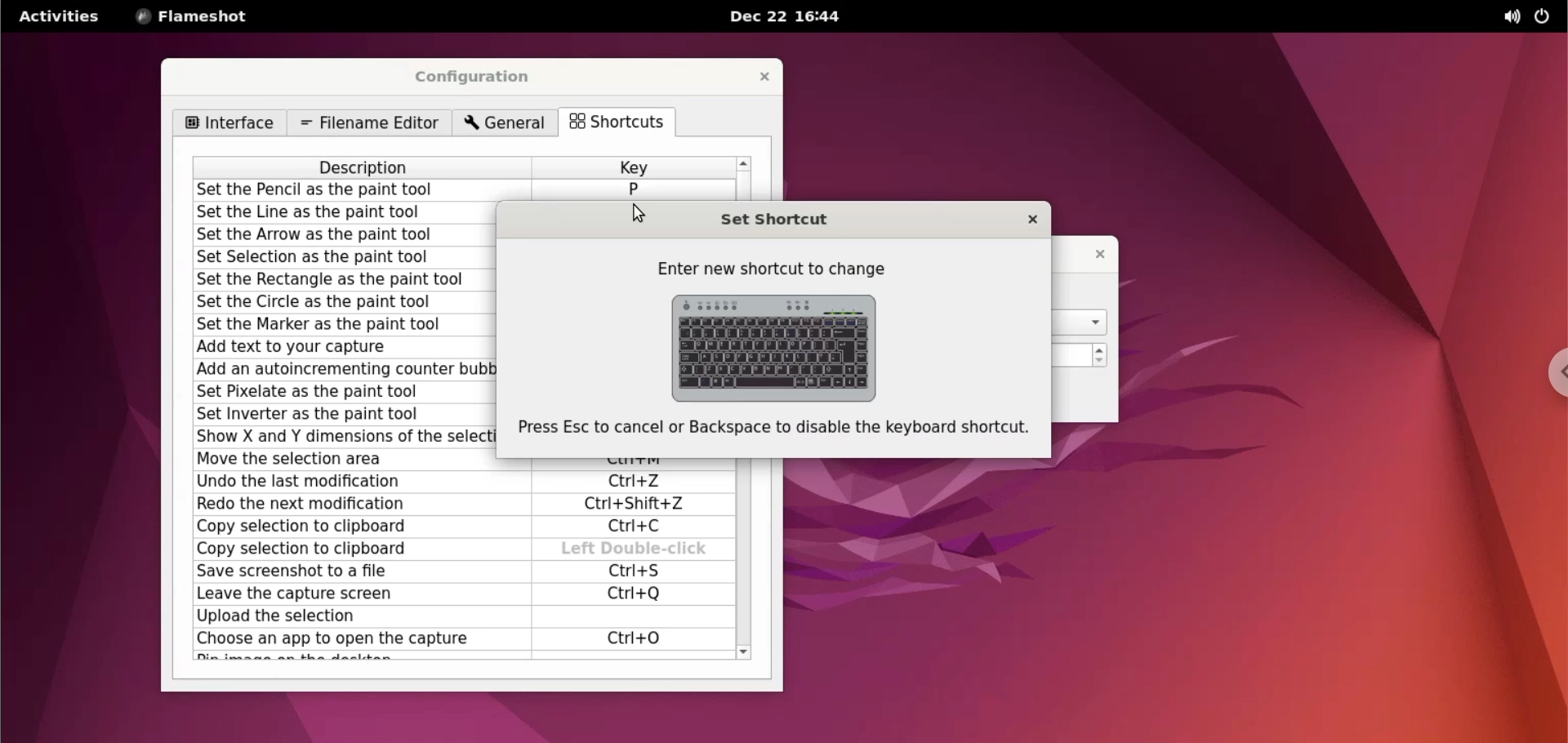  I want to click on configuration, so click(483, 78).